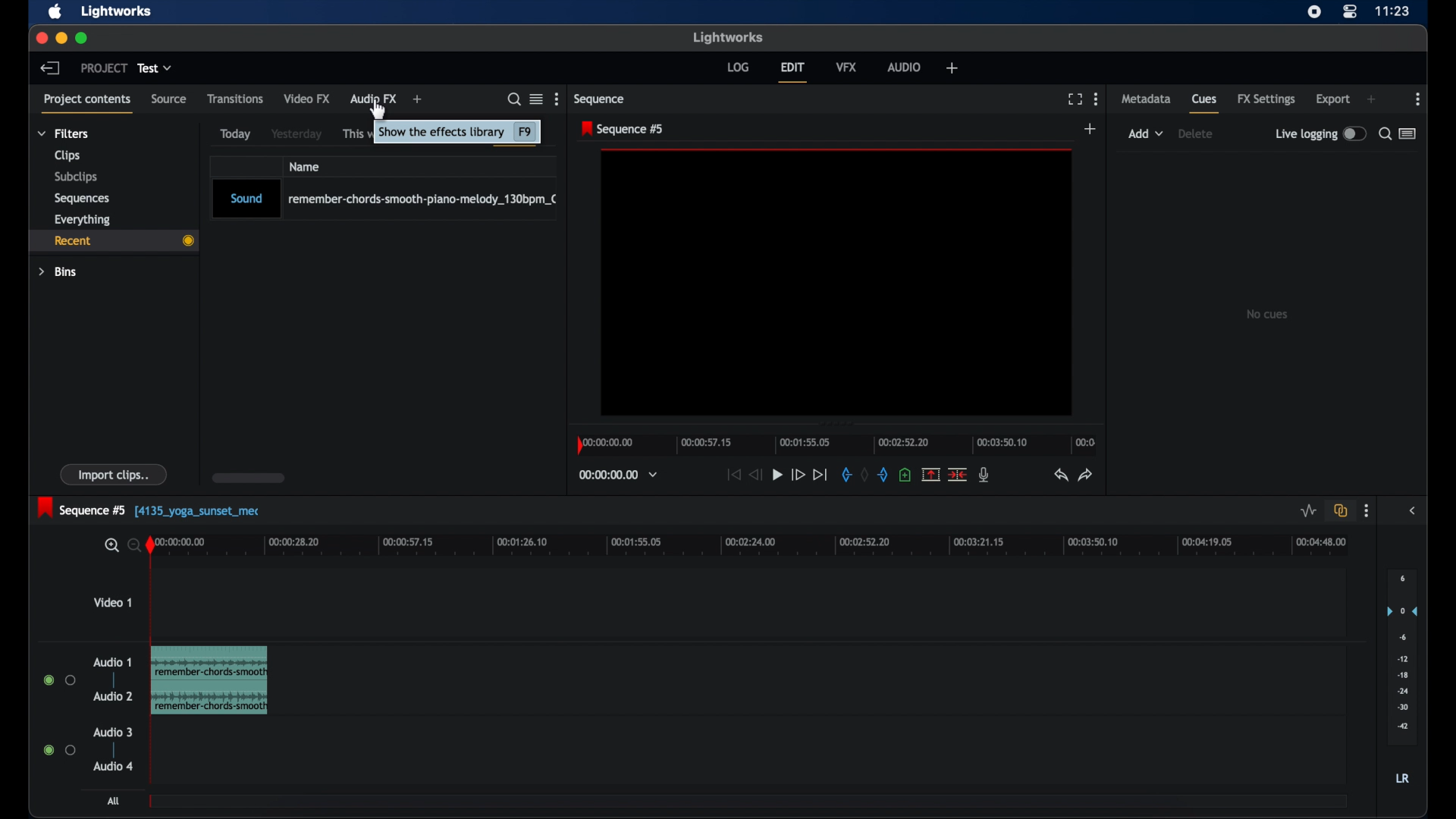  What do you see at coordinates (1385, 133) in the screenshot?
I see `search` at bounding box center [1385, 133].